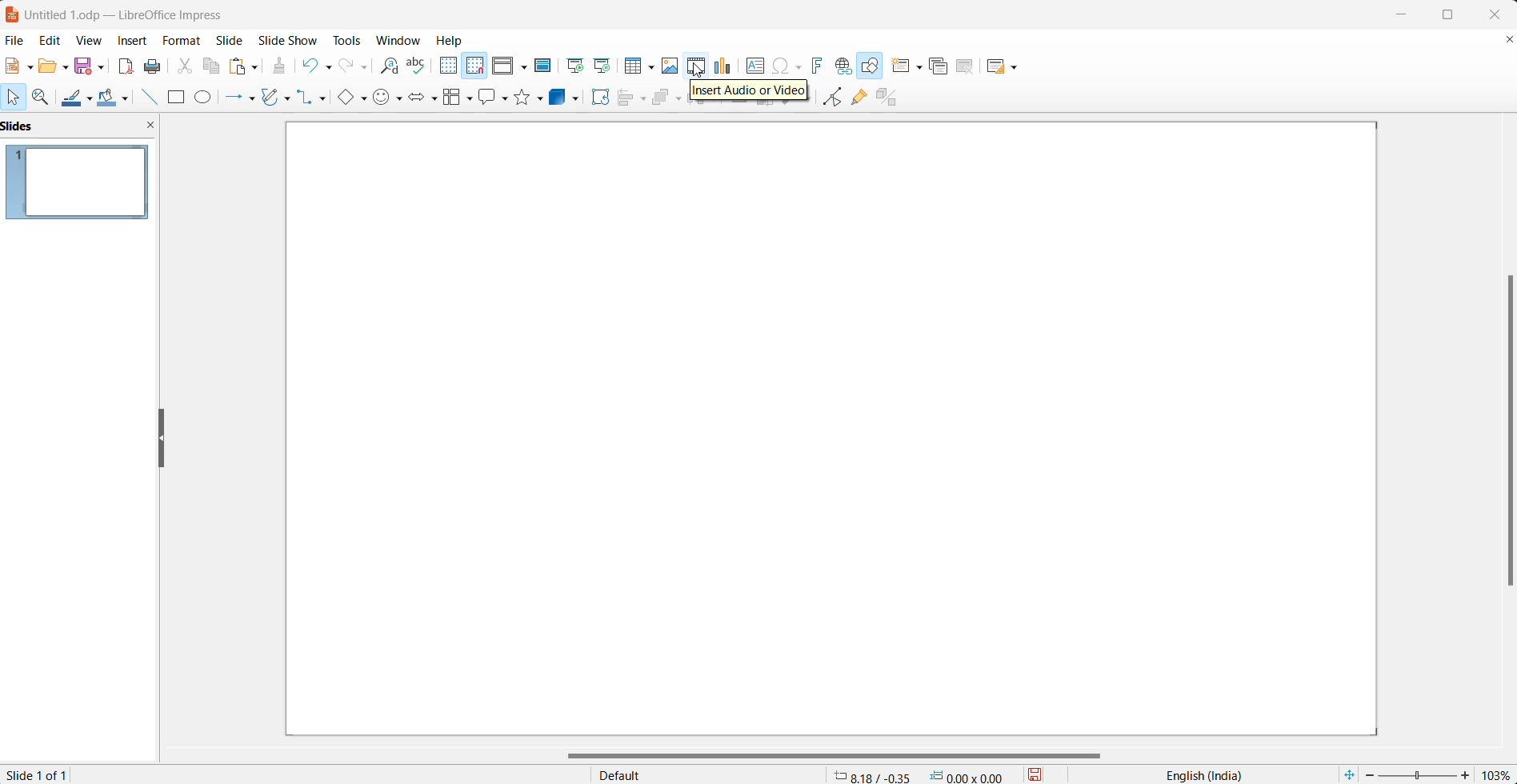 This screenshot has width=1517, height=784. What do you see at coordinates (270, 98) in the screenshot?
I see `curve and polygons` at bounding box center [270, 98].